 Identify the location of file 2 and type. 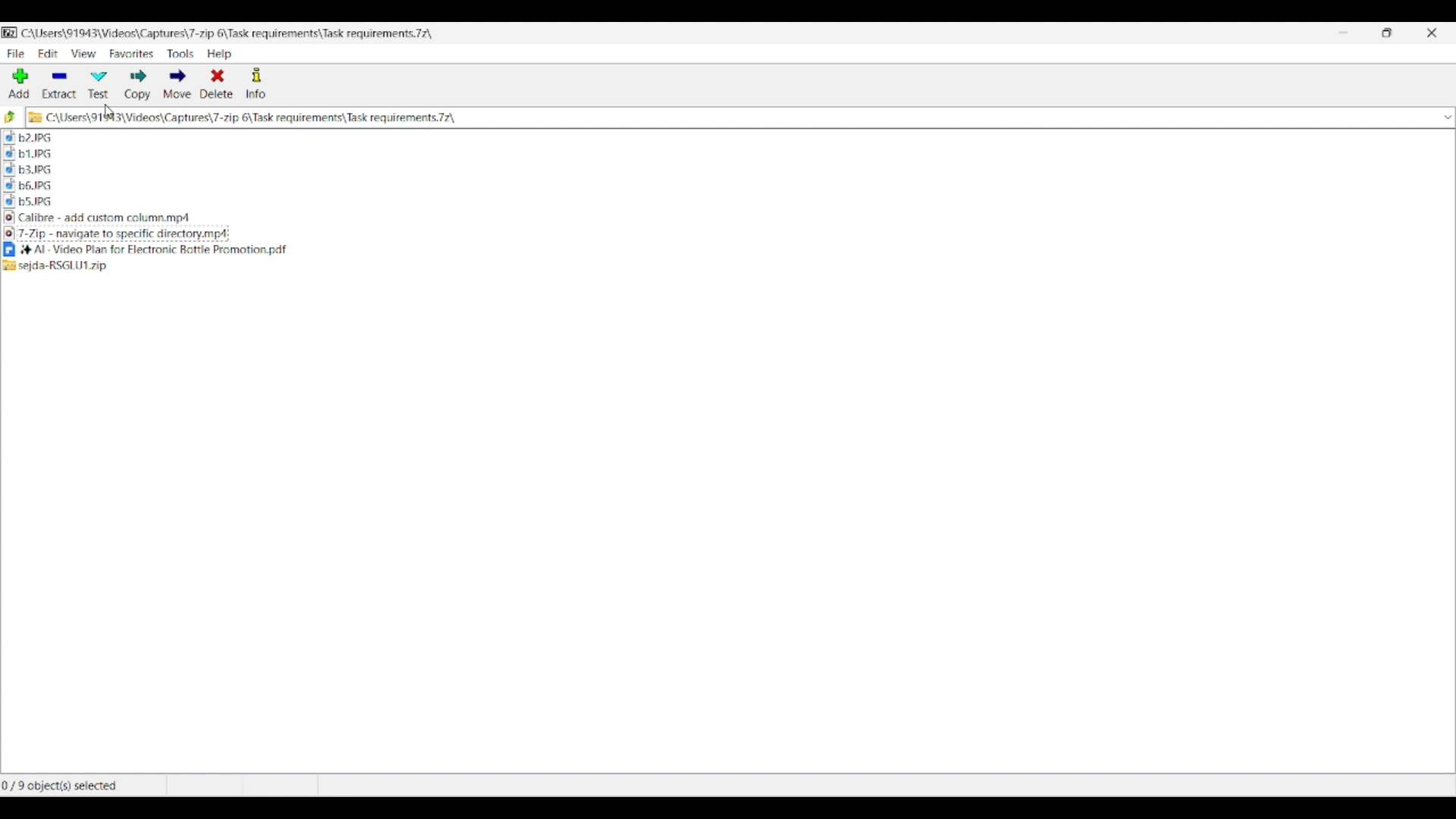
(416, 137).